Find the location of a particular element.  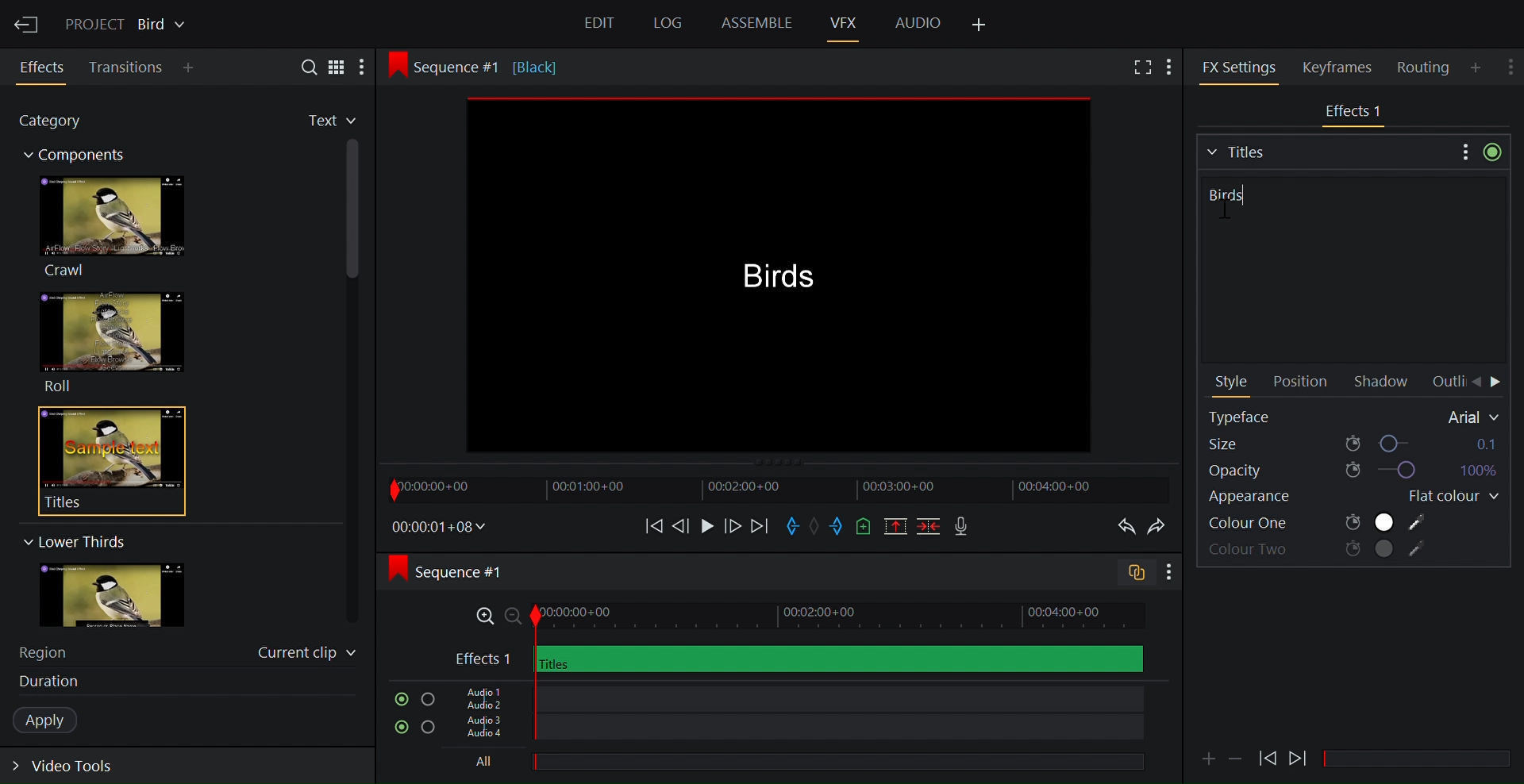

Delete/cut is located at coordinates (930, 528).